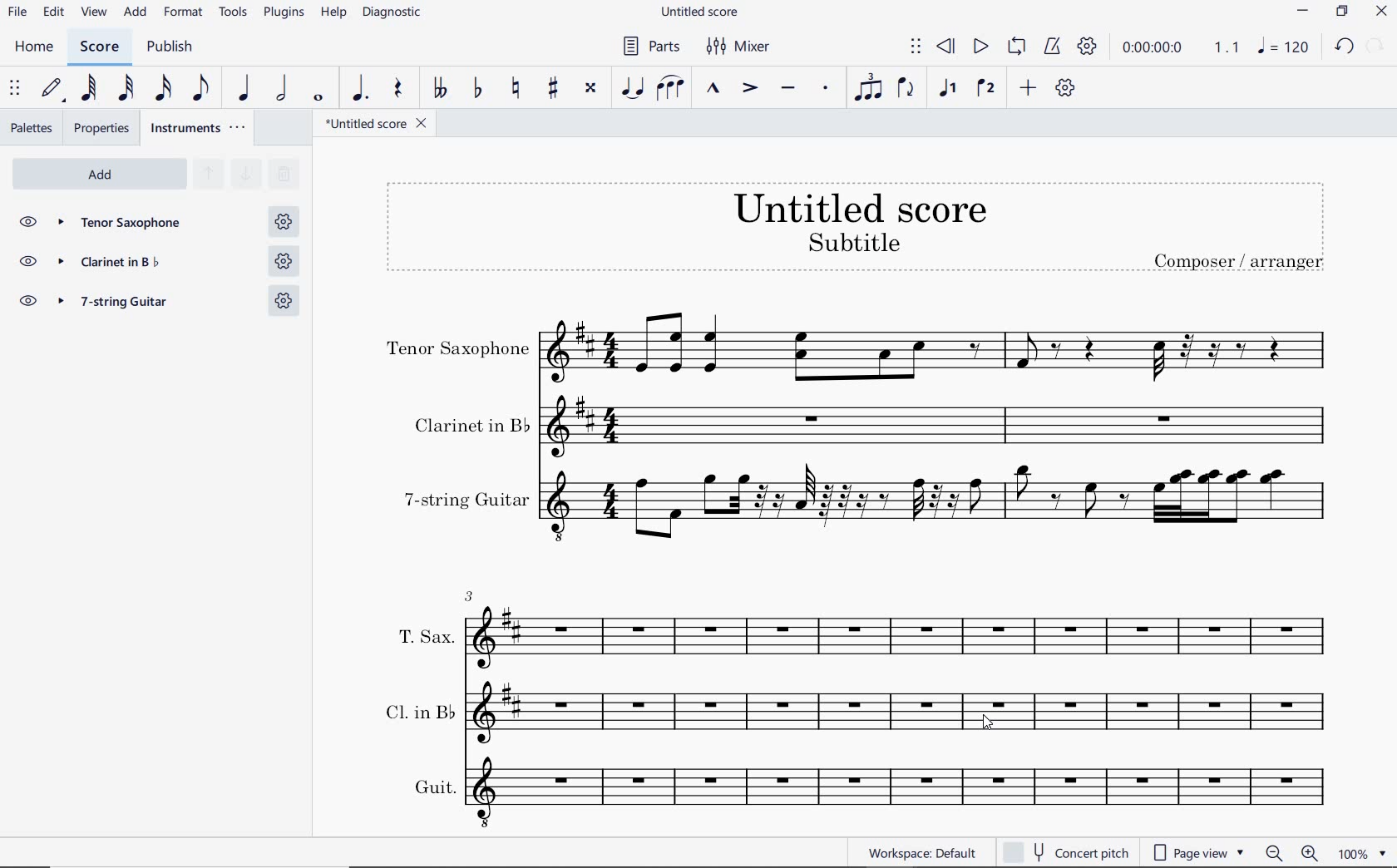 Image resolution: width=1397 pixels, height=868 pixels. Describe the element at coordinates (128, 303) in the screenshot. I see `7 string guitar` at that location.